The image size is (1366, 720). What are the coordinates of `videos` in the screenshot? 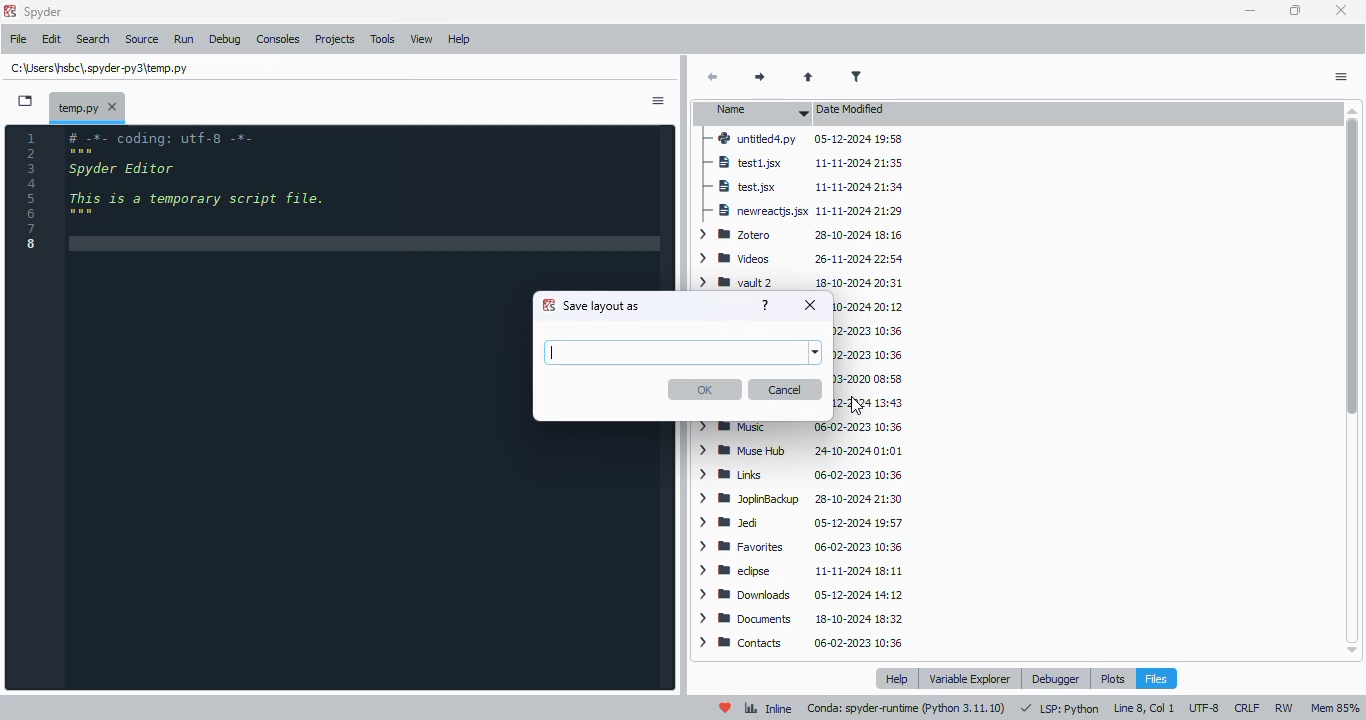 It's located at (804, 258).